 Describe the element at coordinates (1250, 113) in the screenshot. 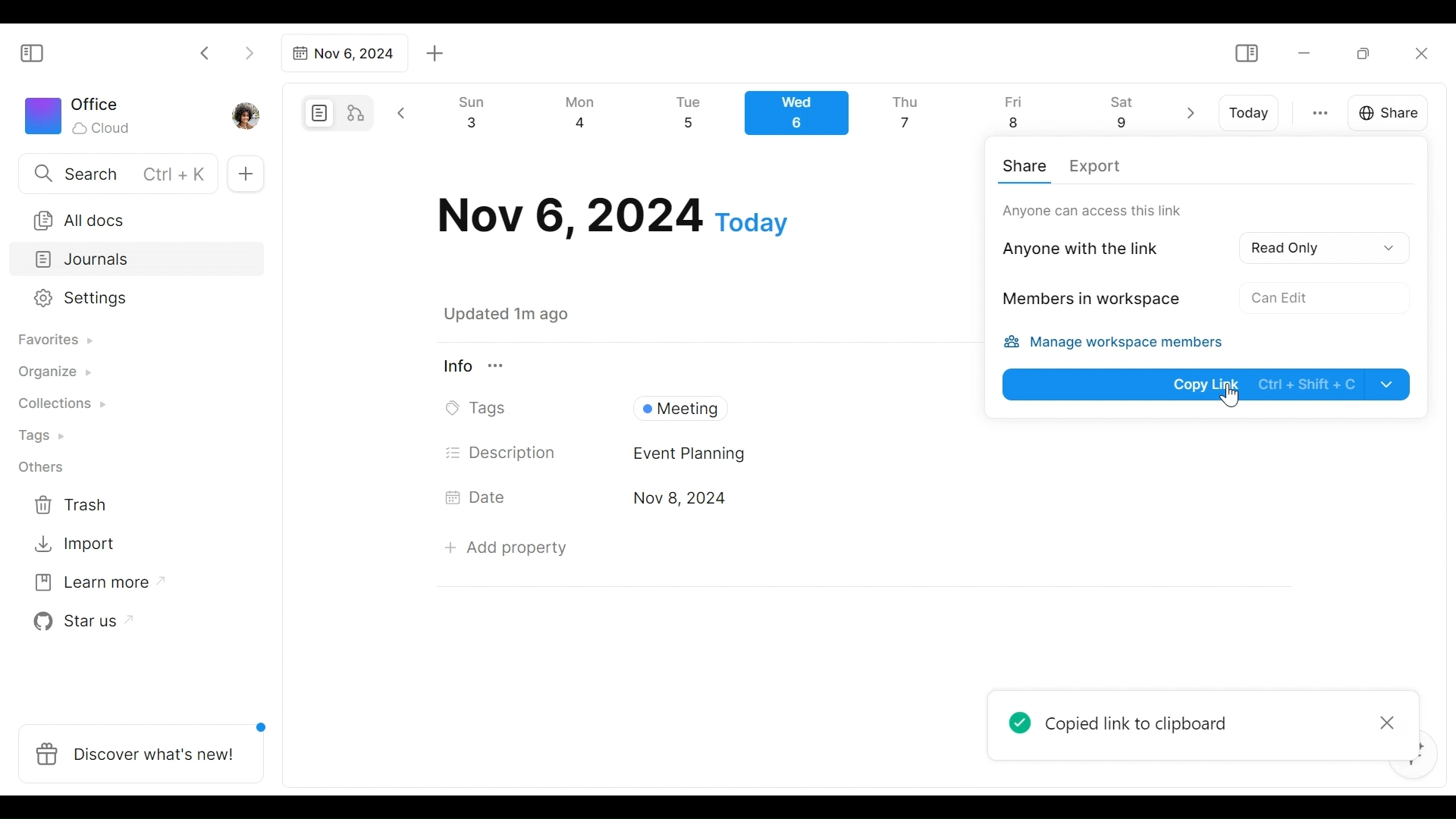

I see `Today` at that location.